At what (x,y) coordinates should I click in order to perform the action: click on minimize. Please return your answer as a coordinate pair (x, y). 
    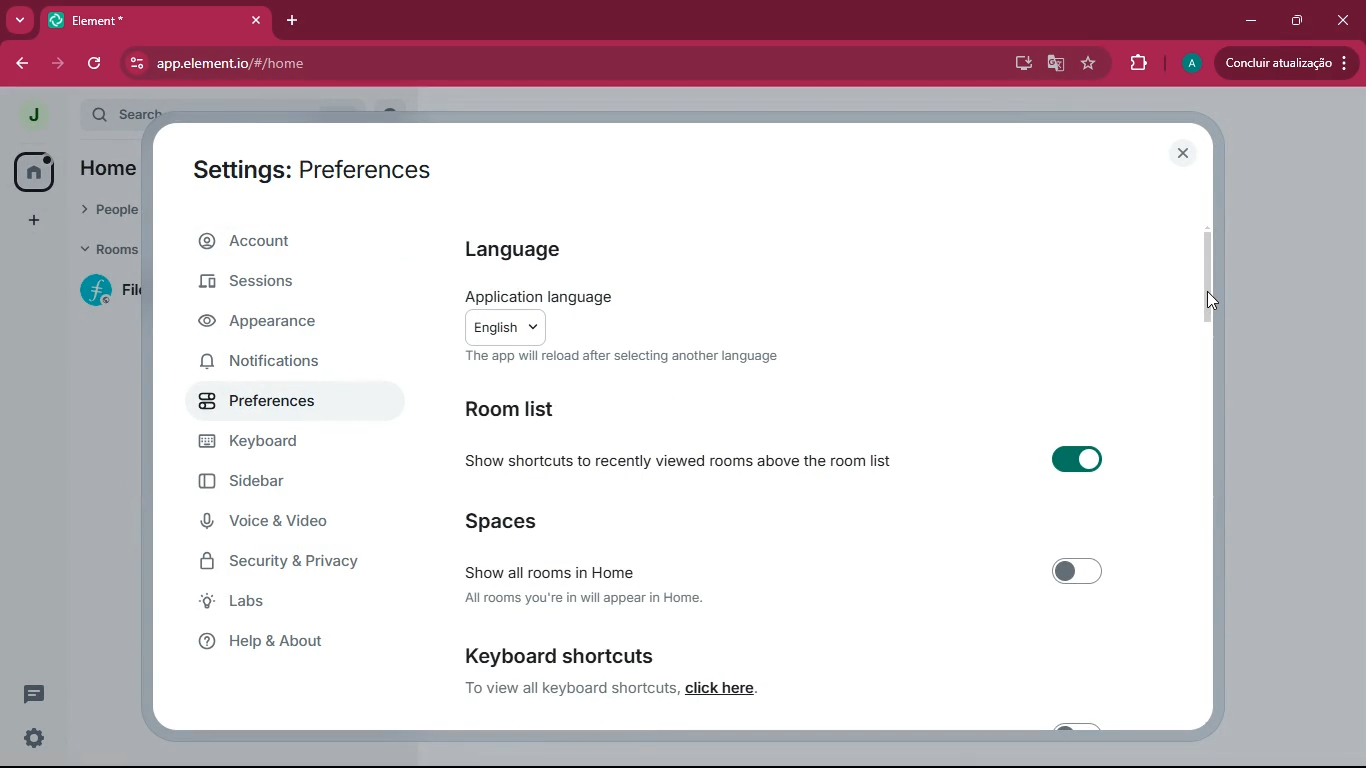
    Looking at the image, I should click on (1249, 20).